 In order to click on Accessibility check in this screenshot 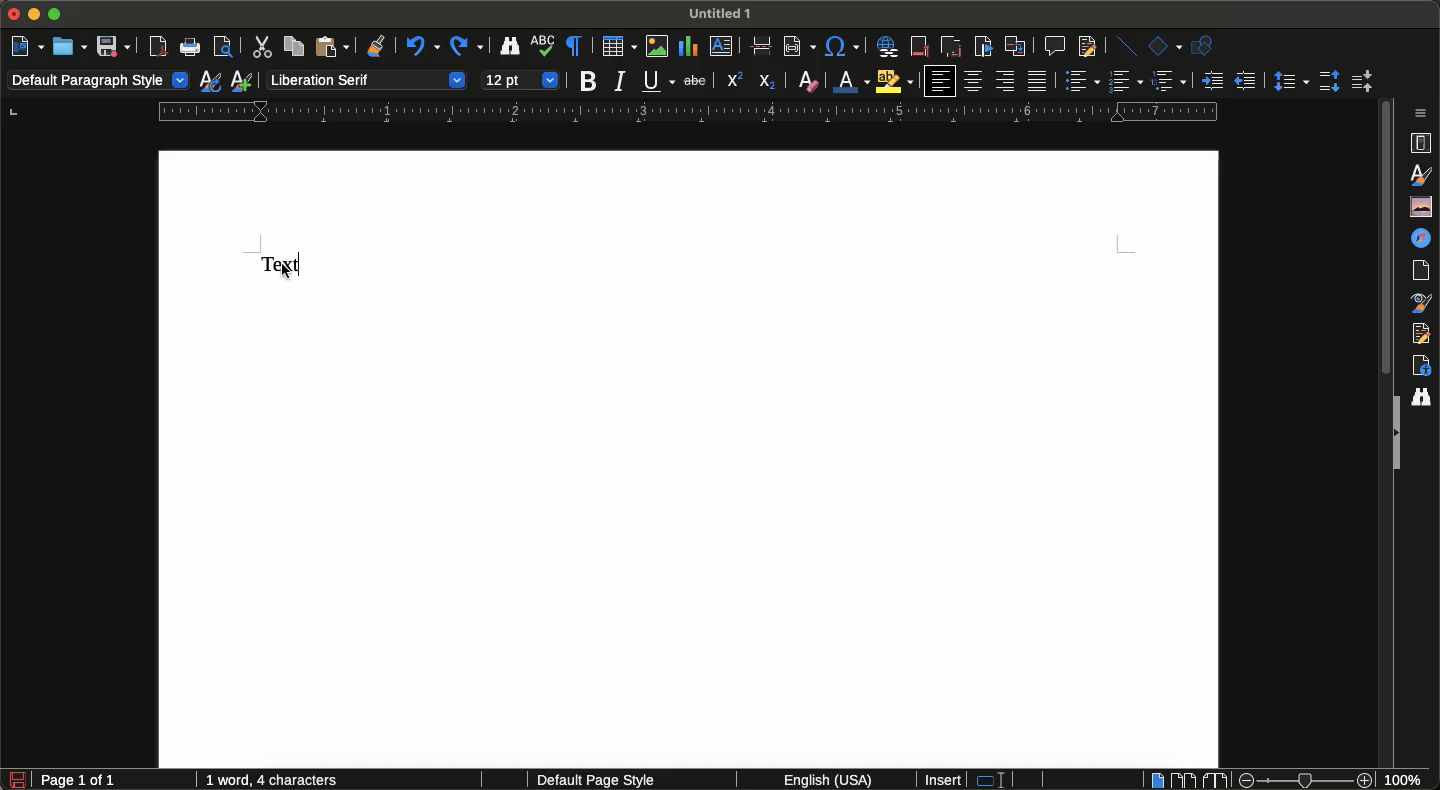, I will do `click(1421, 365)`.